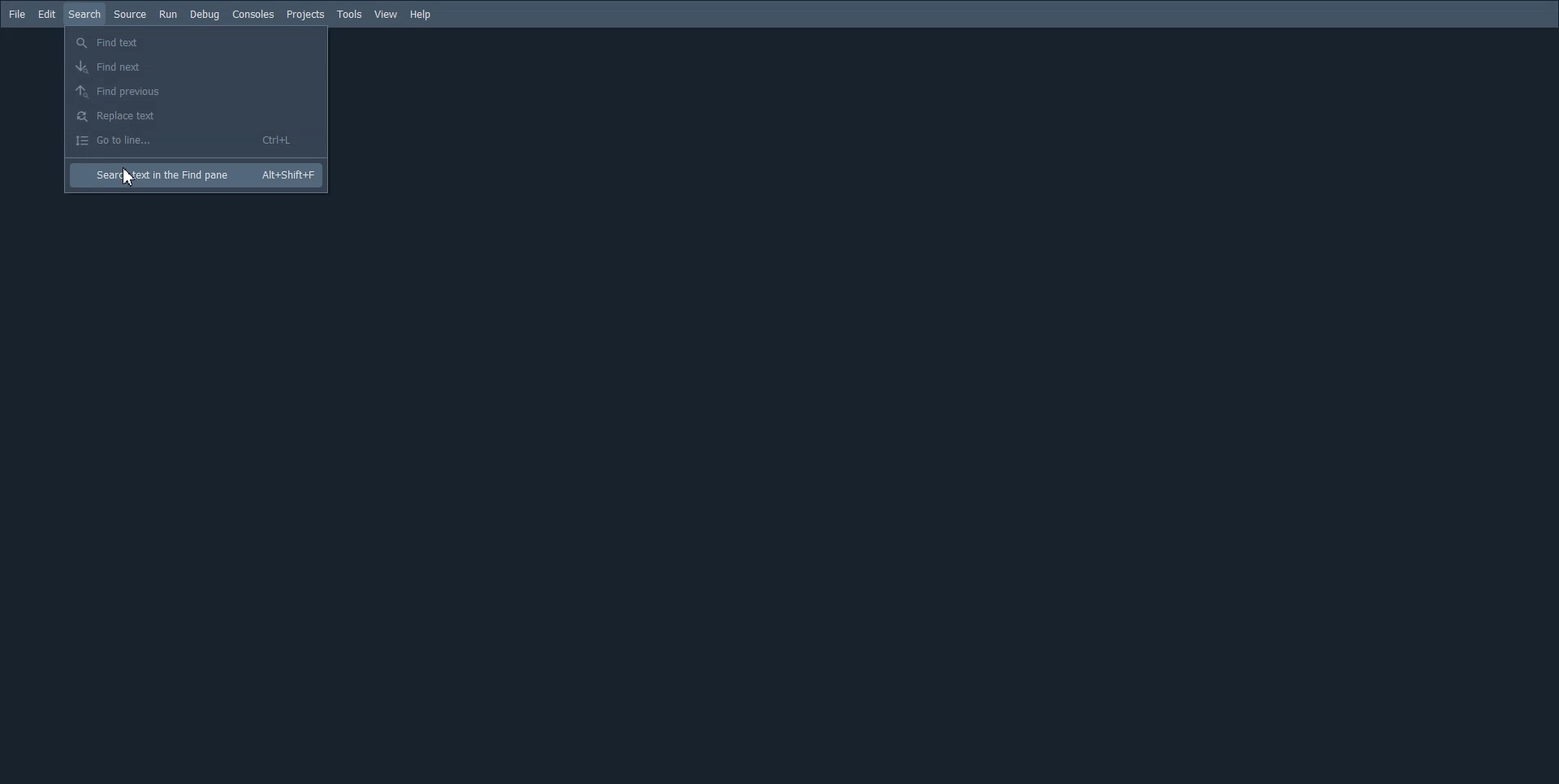 The image size is (1559, 784). What do you see at coordinates (420, 15) in the screenshot?
I see `Help` at bounding box center [420, 15].